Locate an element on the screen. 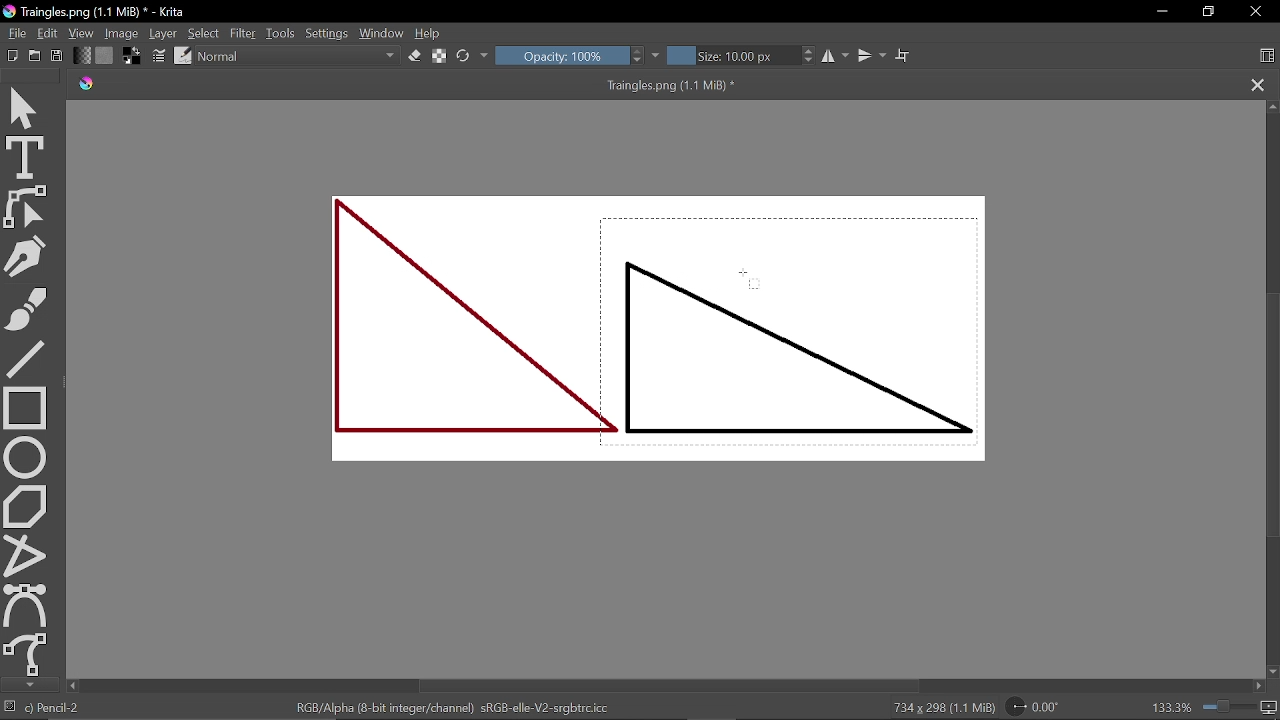 The width and height of the screenshot is (1280, 720). Freehand path tool is located at coordinates (27, 653).